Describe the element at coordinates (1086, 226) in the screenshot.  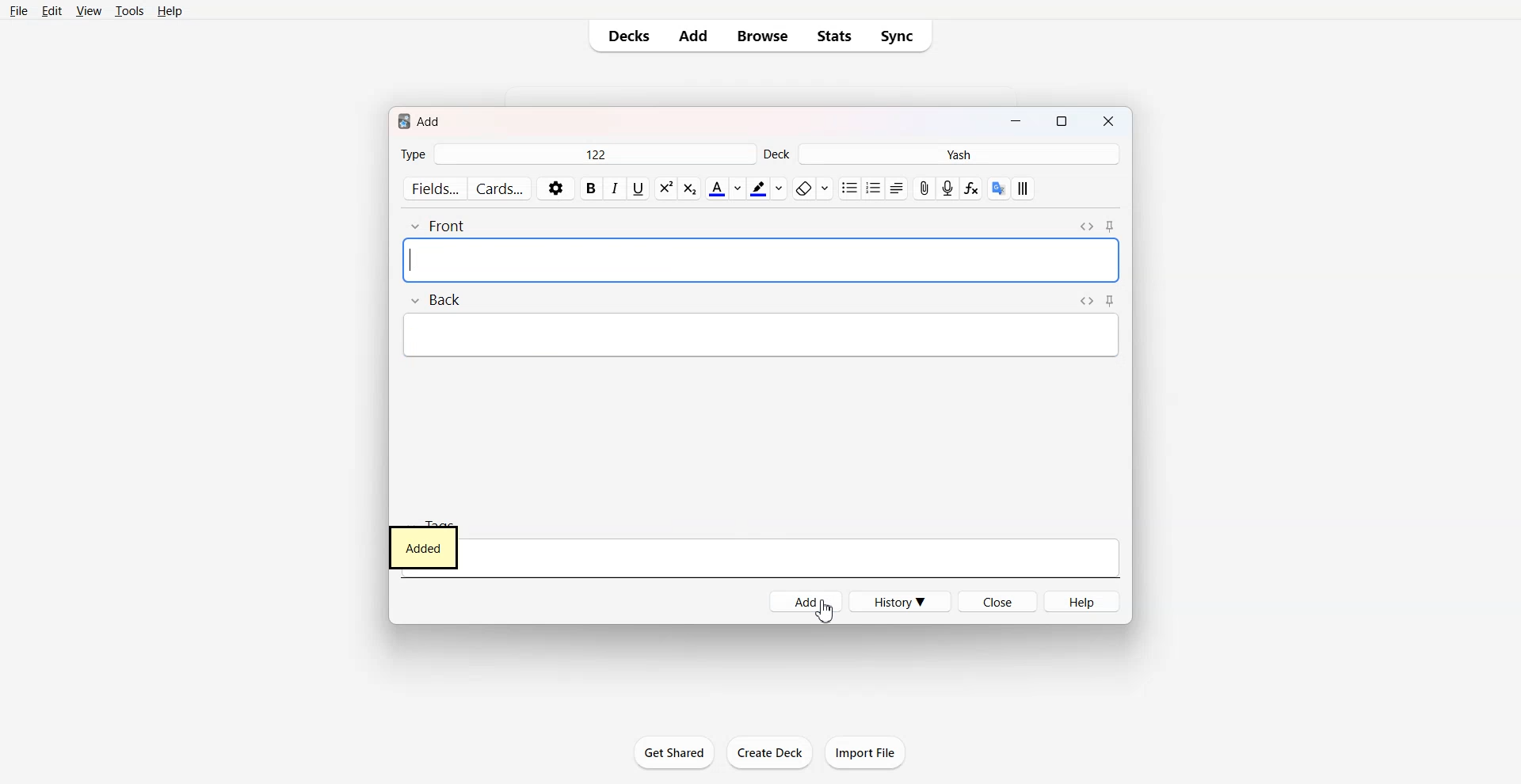
I see `Toggle HTML Editor` at that location.